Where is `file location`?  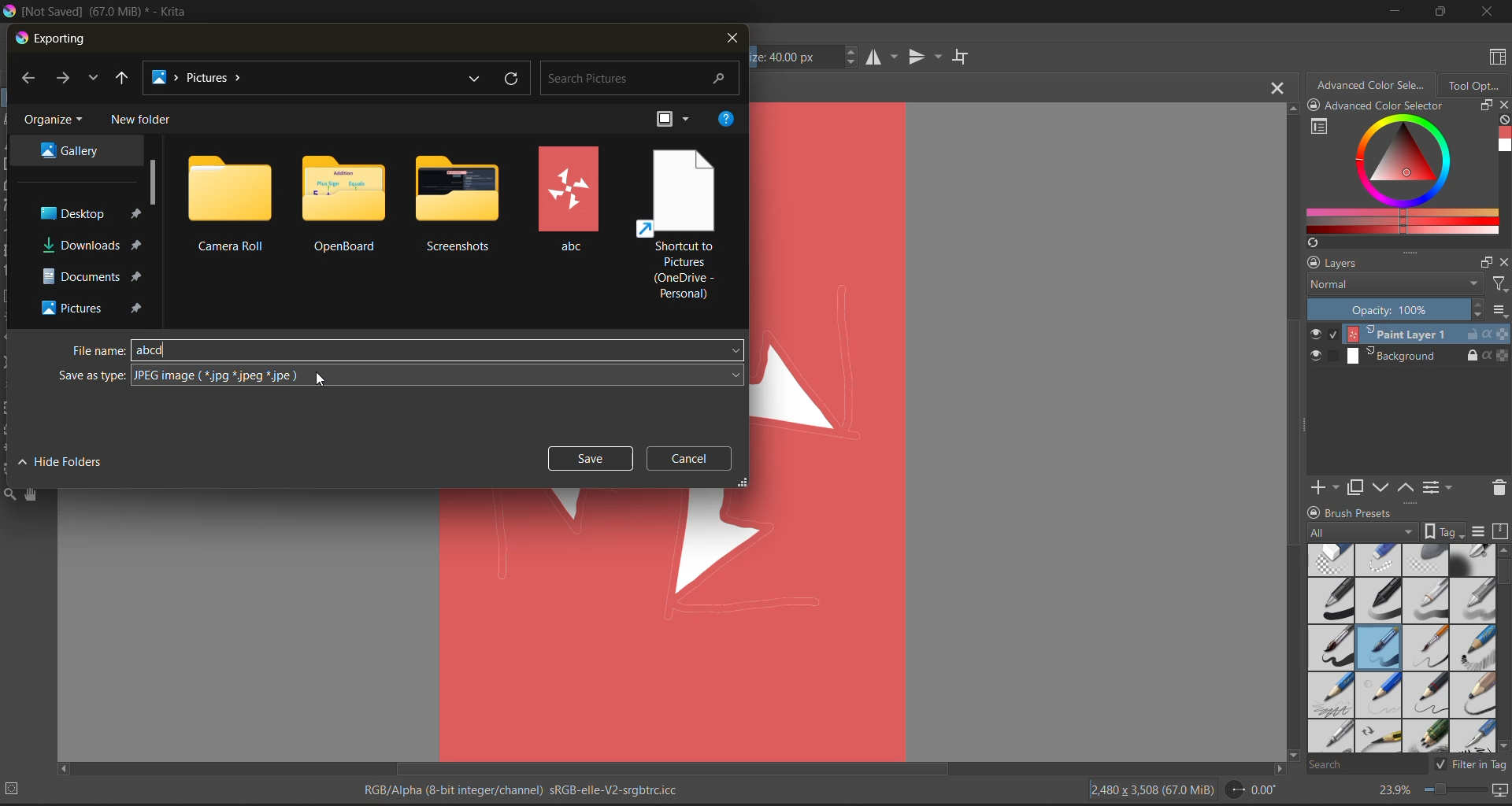
file location is located at coordinates (303, 76).